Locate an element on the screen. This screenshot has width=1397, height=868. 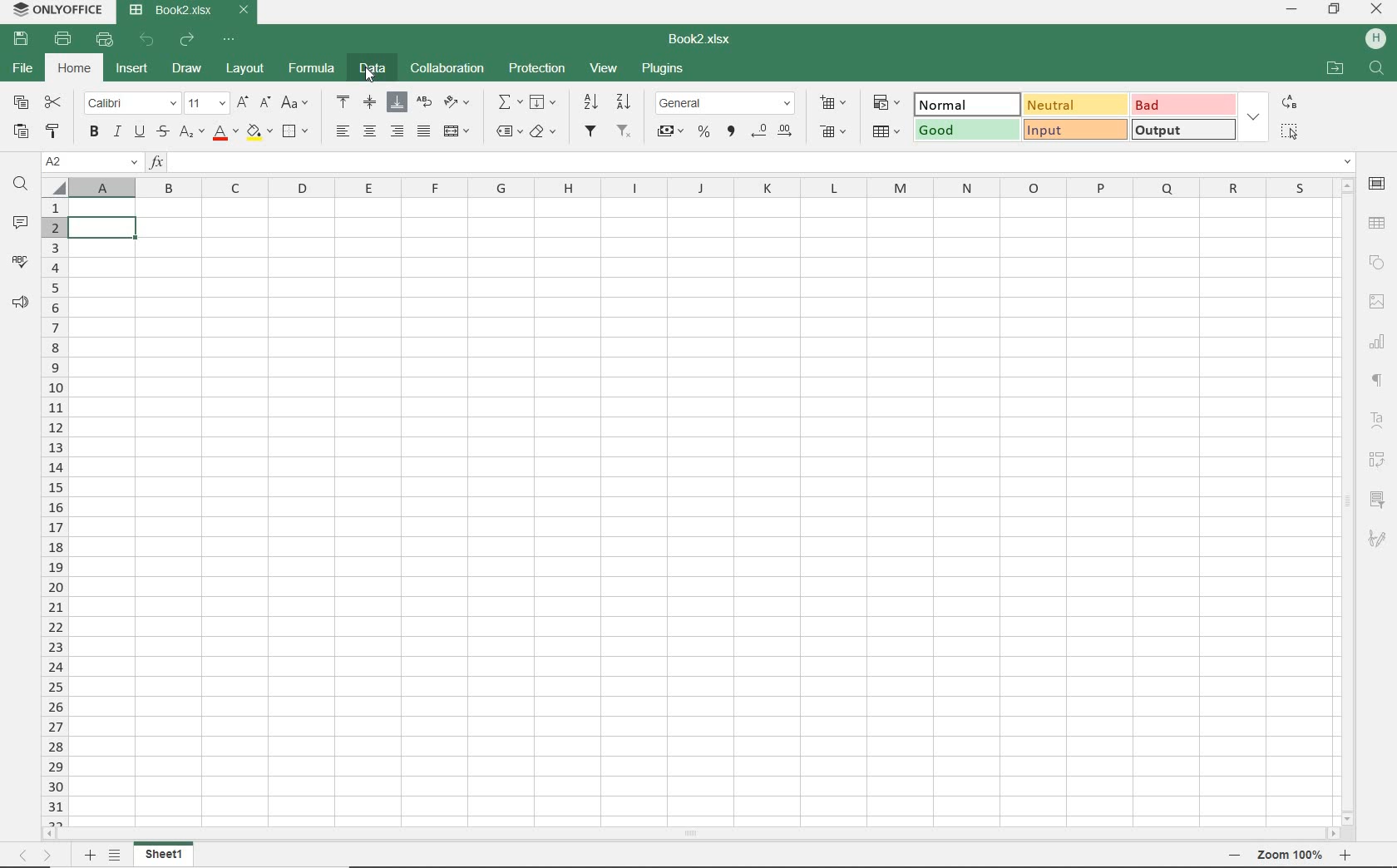
OUTPUT is located at coordinates (1183, 130).